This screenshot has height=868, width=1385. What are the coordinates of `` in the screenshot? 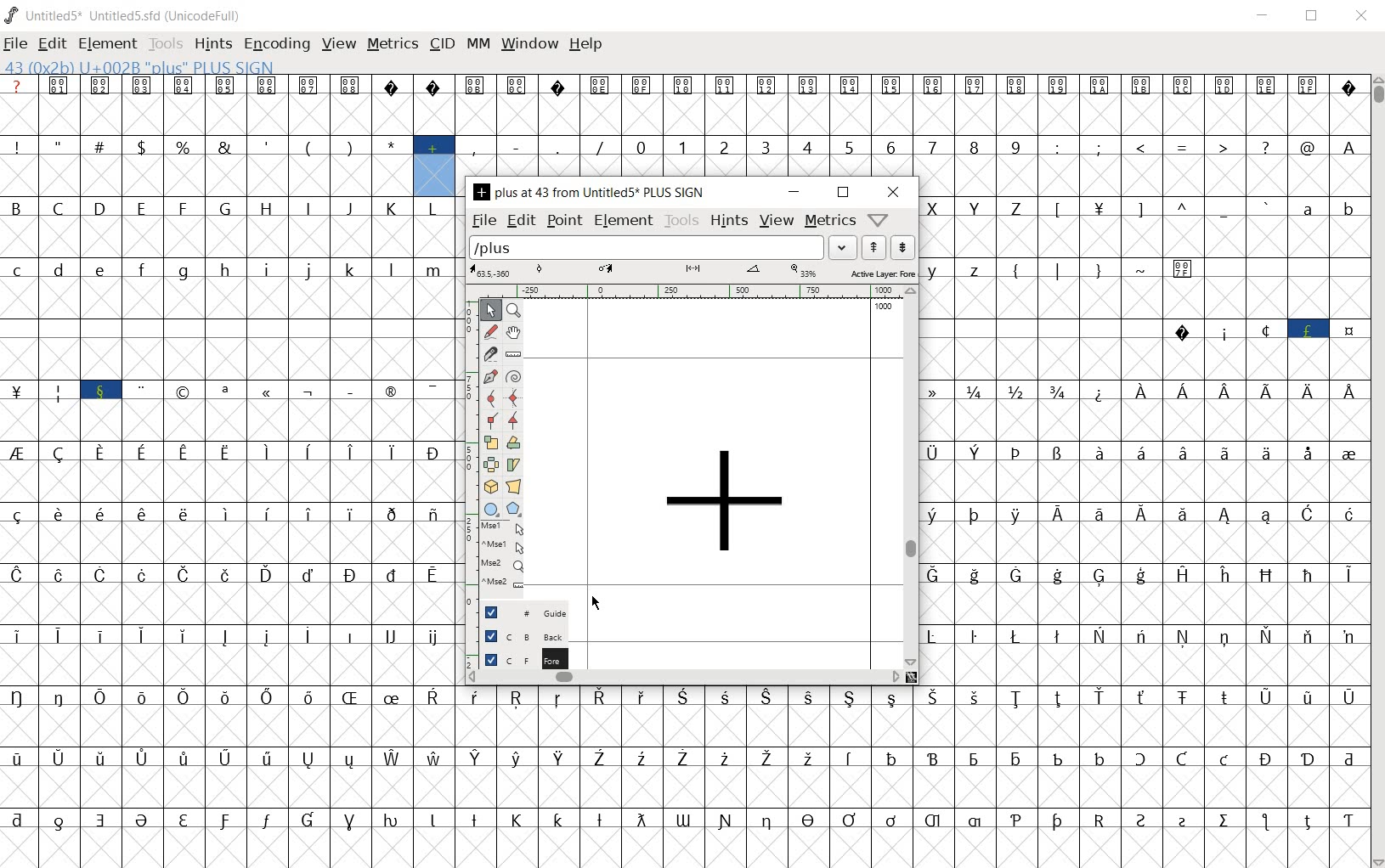 It's located at (412, 656).